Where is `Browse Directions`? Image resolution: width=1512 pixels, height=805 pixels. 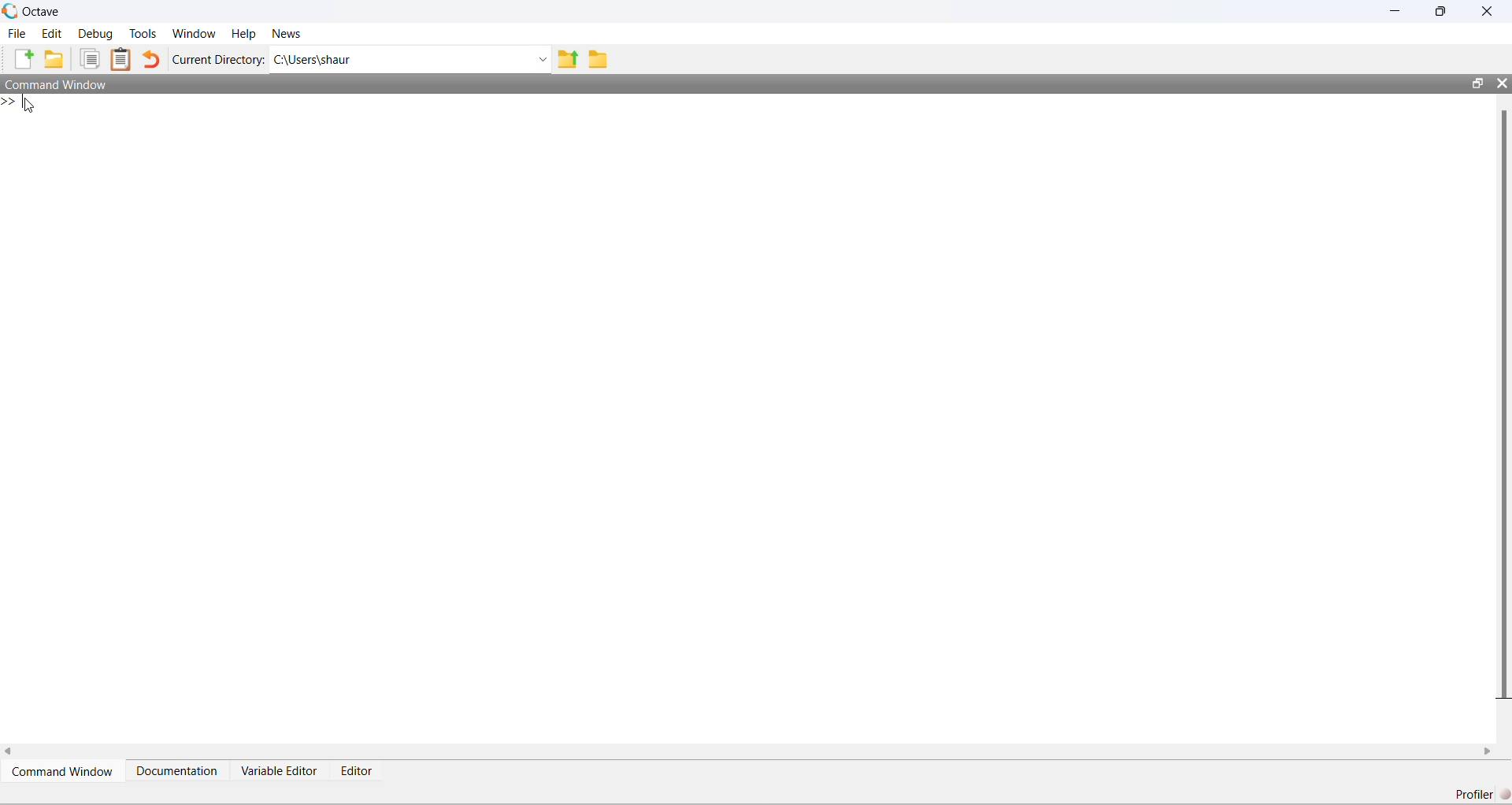 Browse Directions is located at coordinates (598, 59).